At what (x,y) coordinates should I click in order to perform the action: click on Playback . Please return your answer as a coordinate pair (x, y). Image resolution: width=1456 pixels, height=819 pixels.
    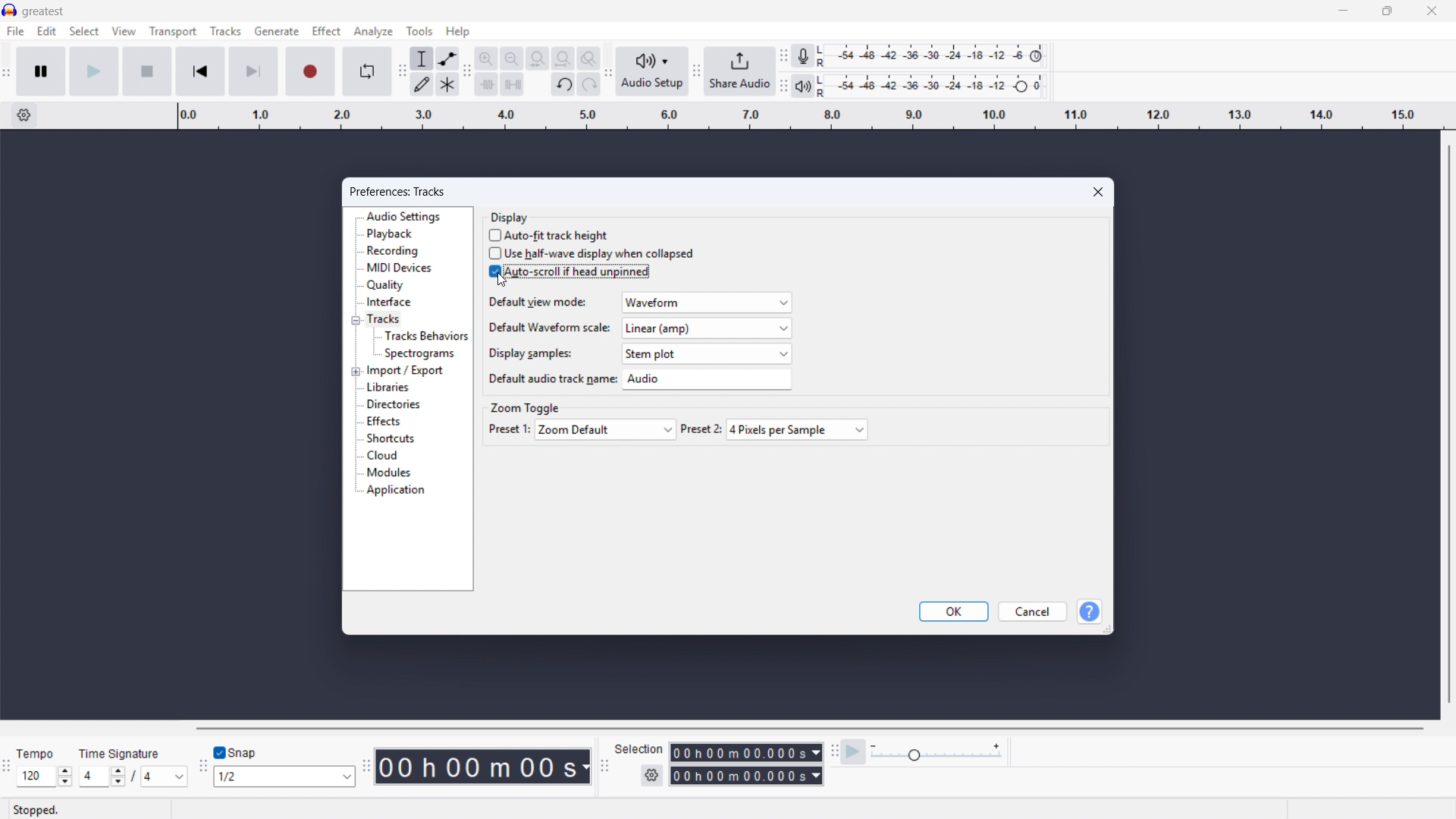
    Looking at the image, I should click on (390, 234).